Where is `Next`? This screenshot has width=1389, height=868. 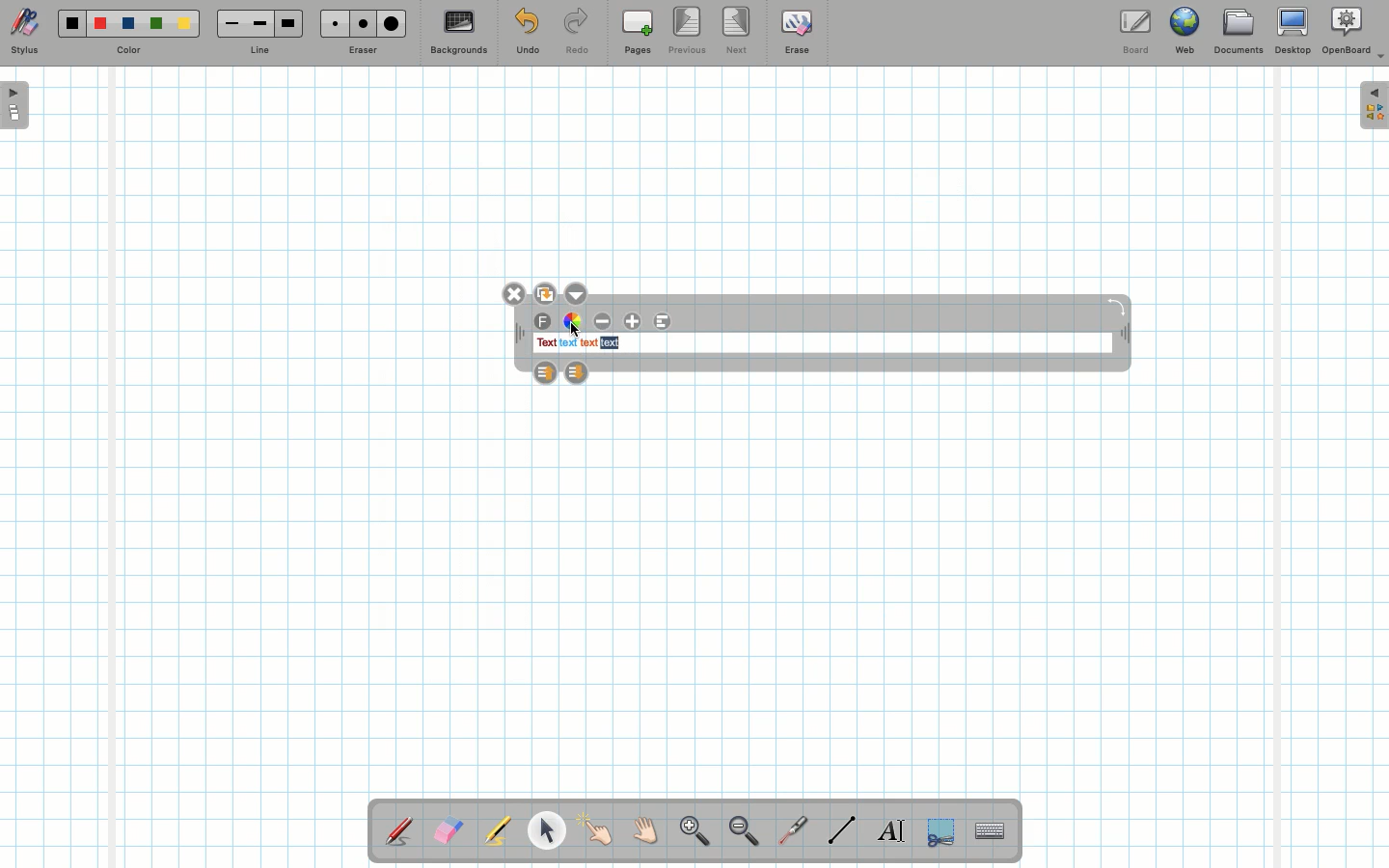 Next is located at coordinates (738, 29).